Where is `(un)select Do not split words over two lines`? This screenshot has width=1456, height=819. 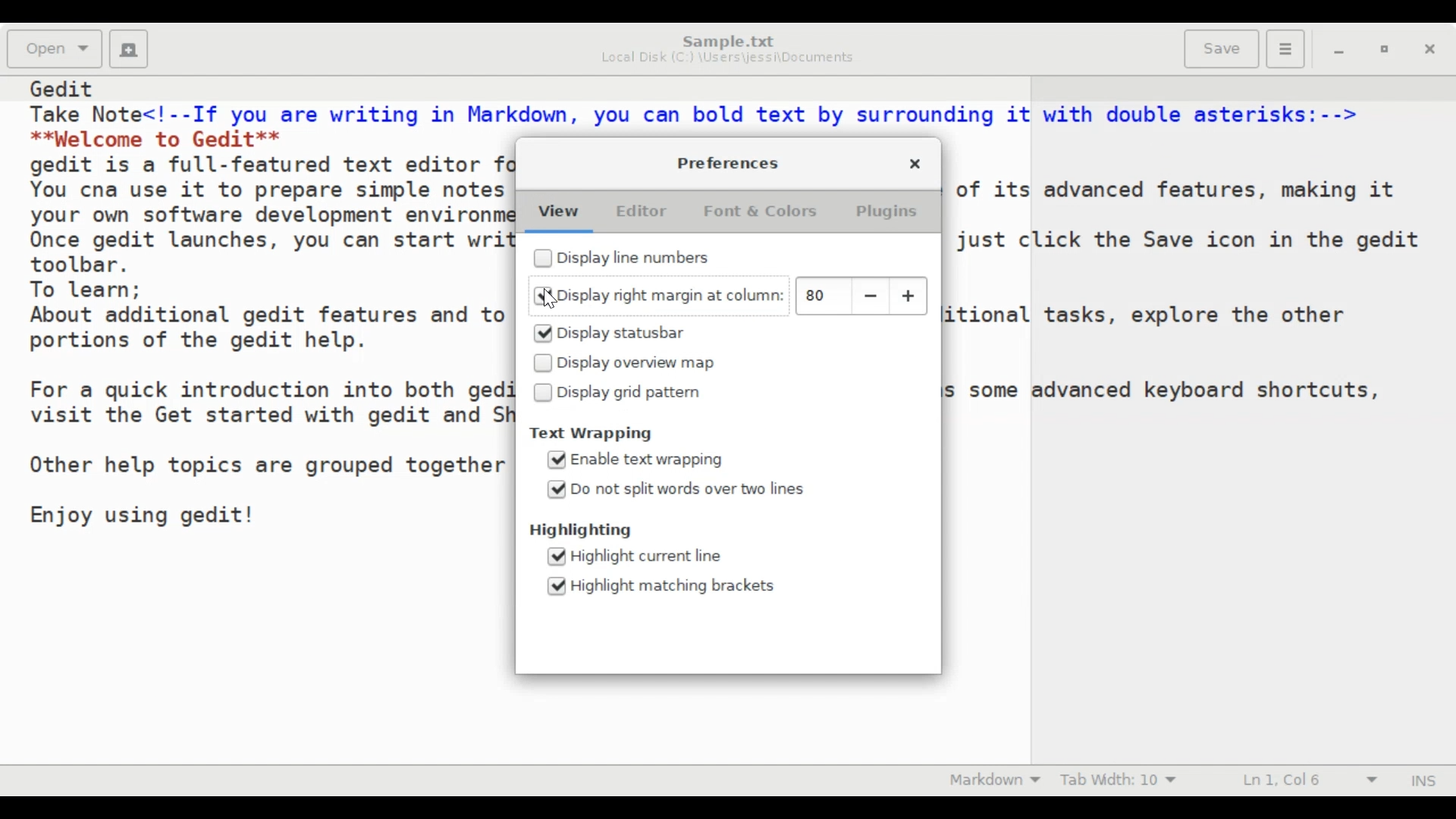
(un)select Do not split words over two lines is located at coordinates (675, 488).